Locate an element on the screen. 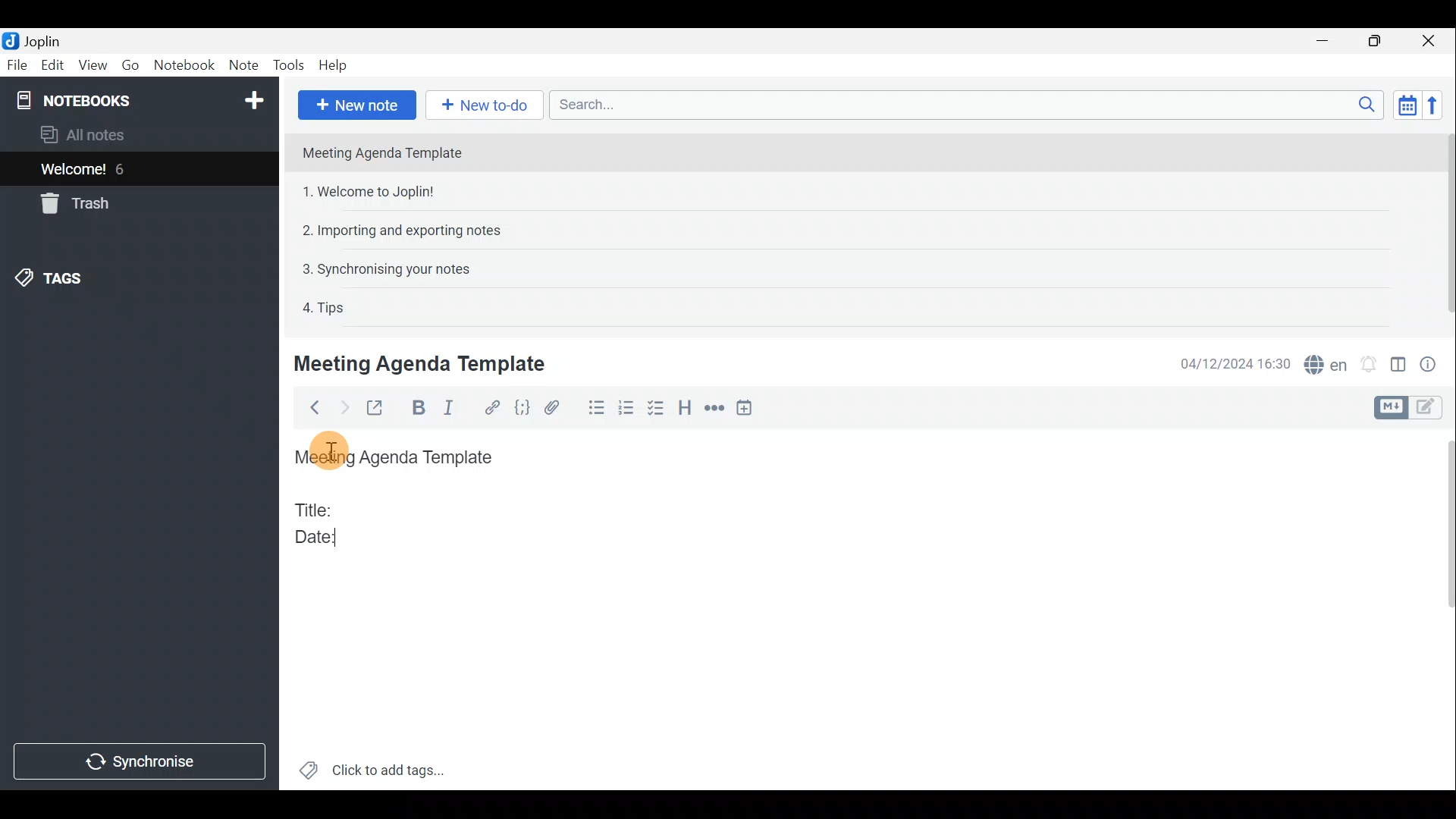 This screenshot has width=1456, height=819. Title: is located at coordinates (316, 507).